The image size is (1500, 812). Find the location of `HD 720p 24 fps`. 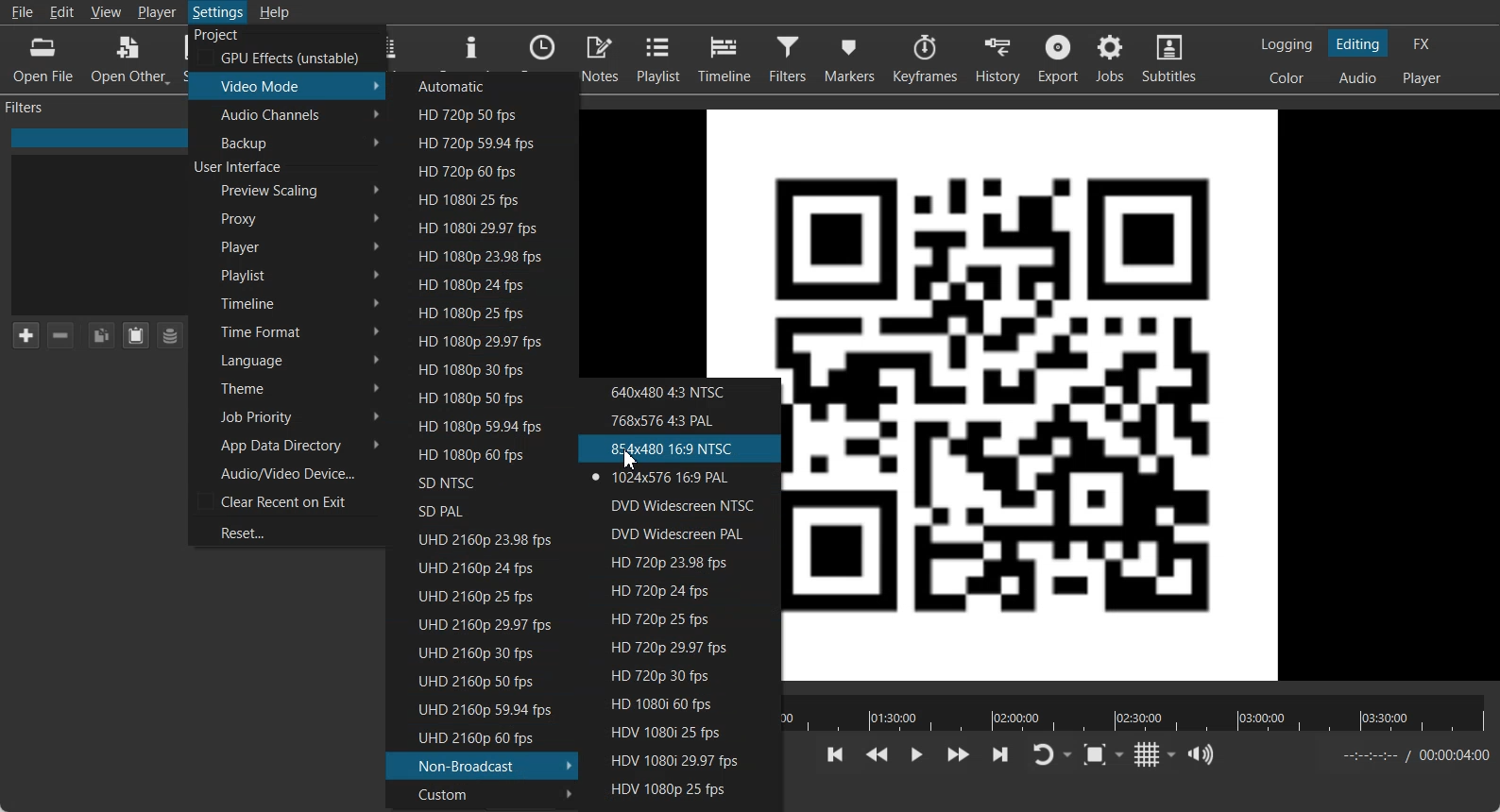

HD 720p 24 fps is located at coordinates (686, 590).